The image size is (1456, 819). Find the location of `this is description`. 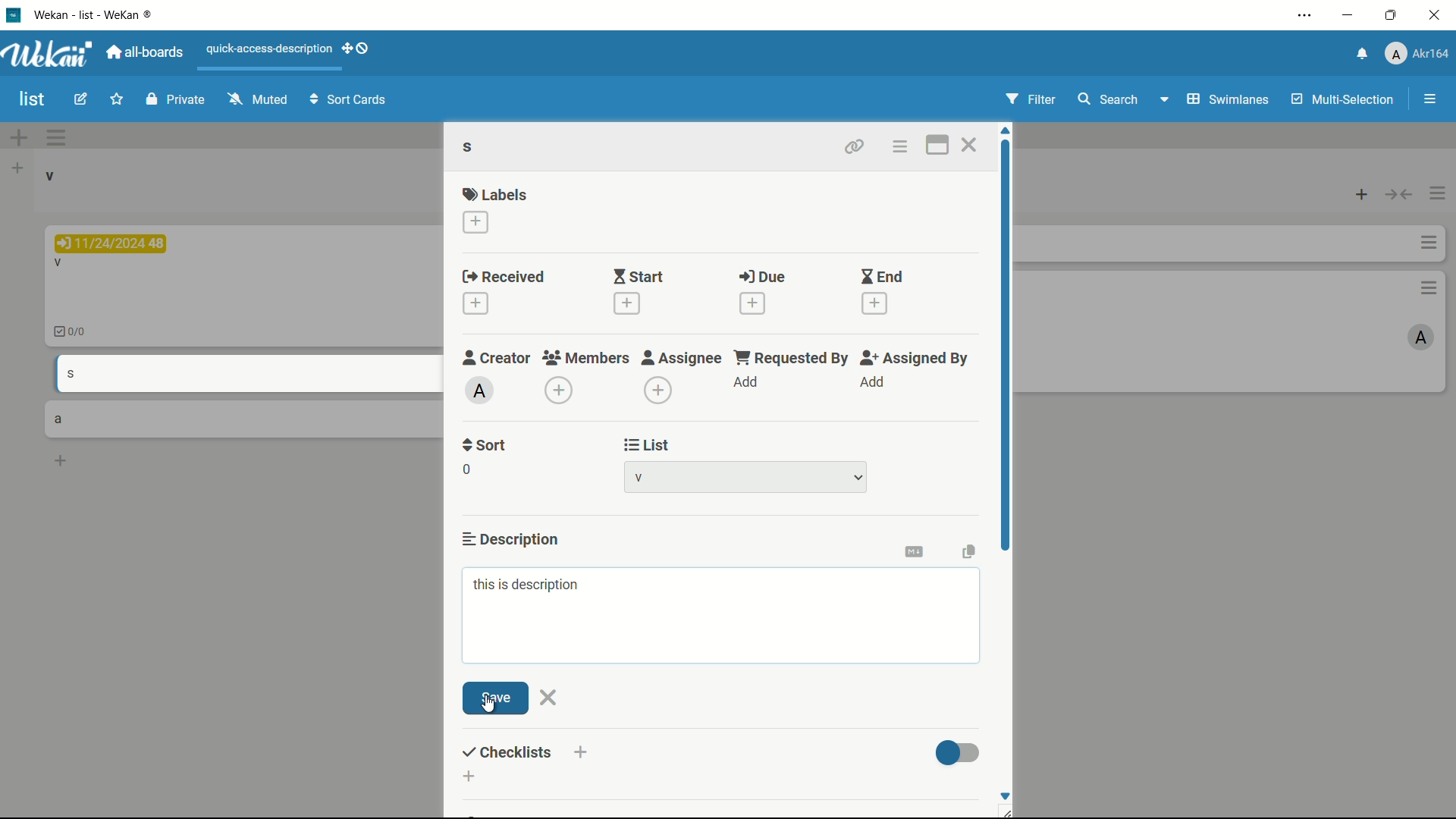

this is description is located at coordinates (527, 585).